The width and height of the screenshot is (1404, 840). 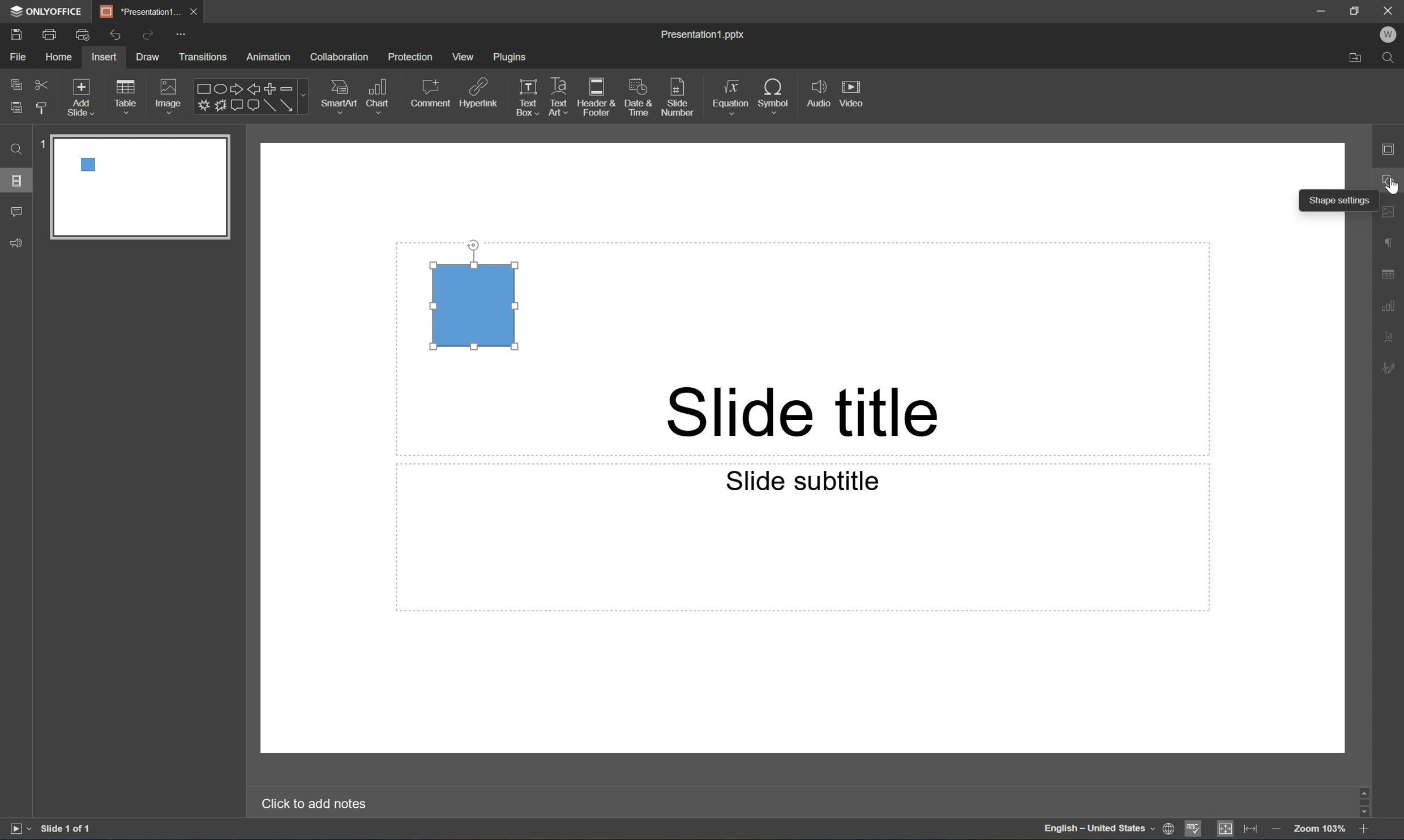 I want to click on , so click(x=236, y=104).